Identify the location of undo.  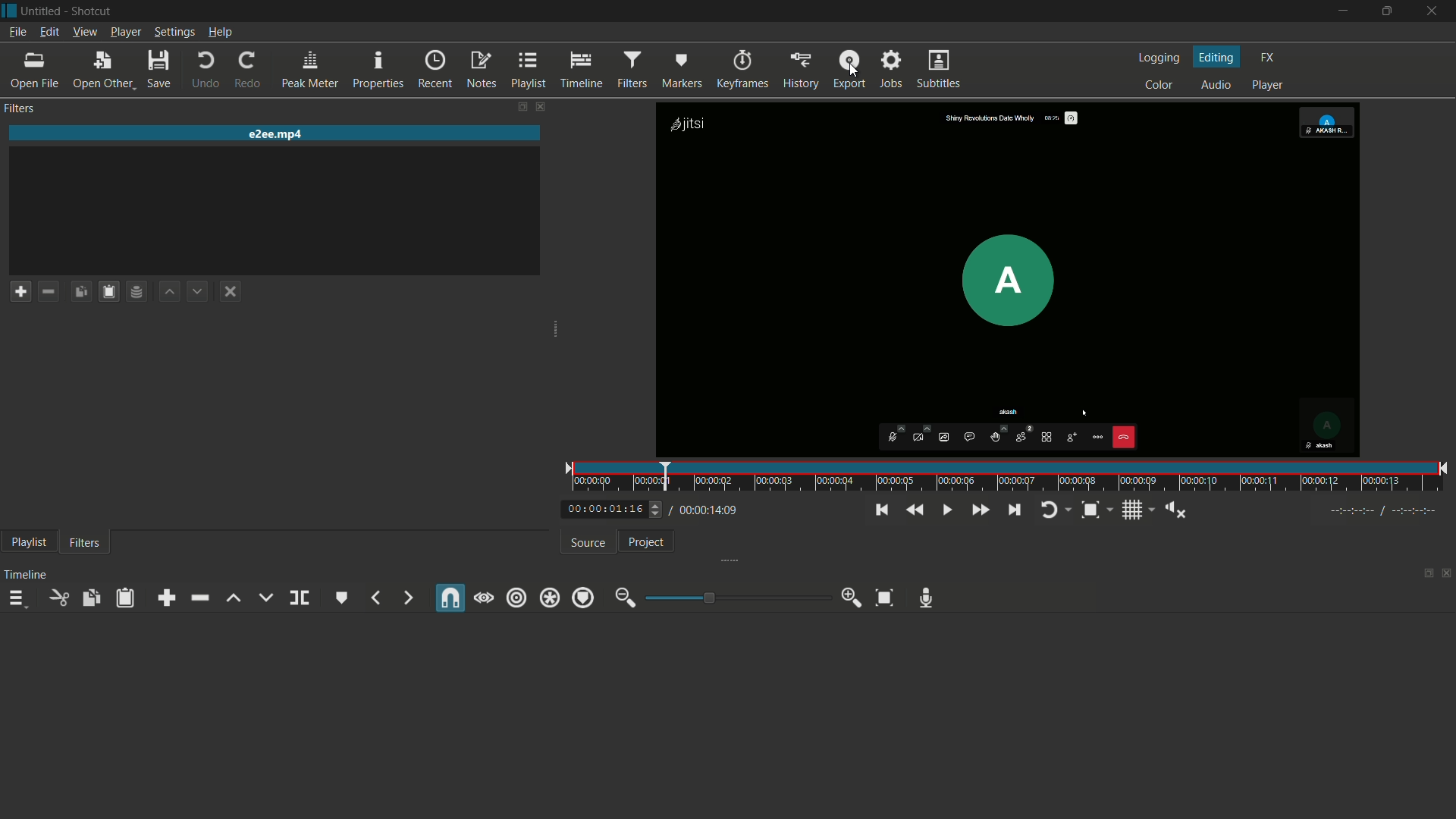
(206, 71).